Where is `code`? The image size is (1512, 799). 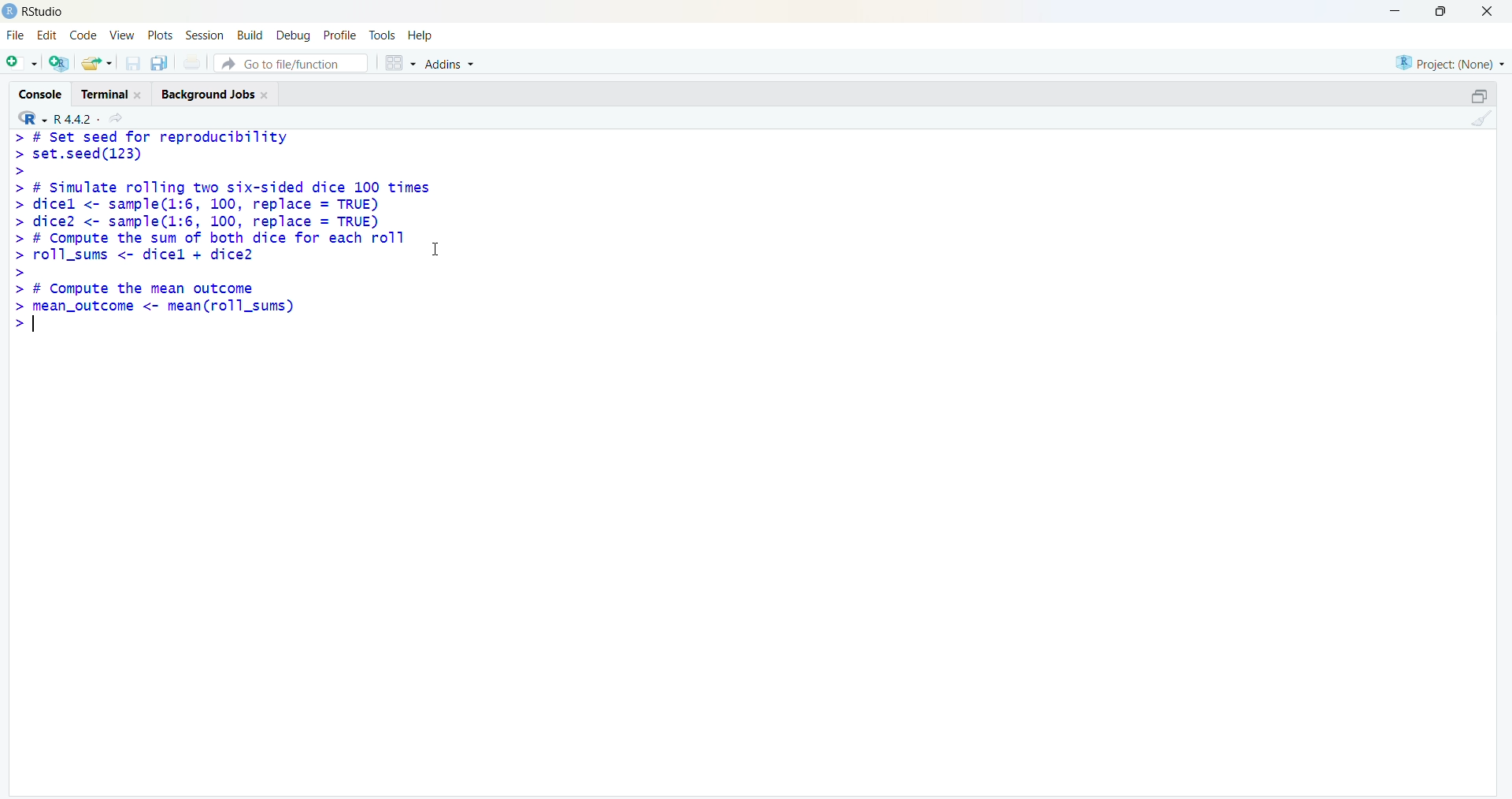
code is located at coordinates (83, 35).